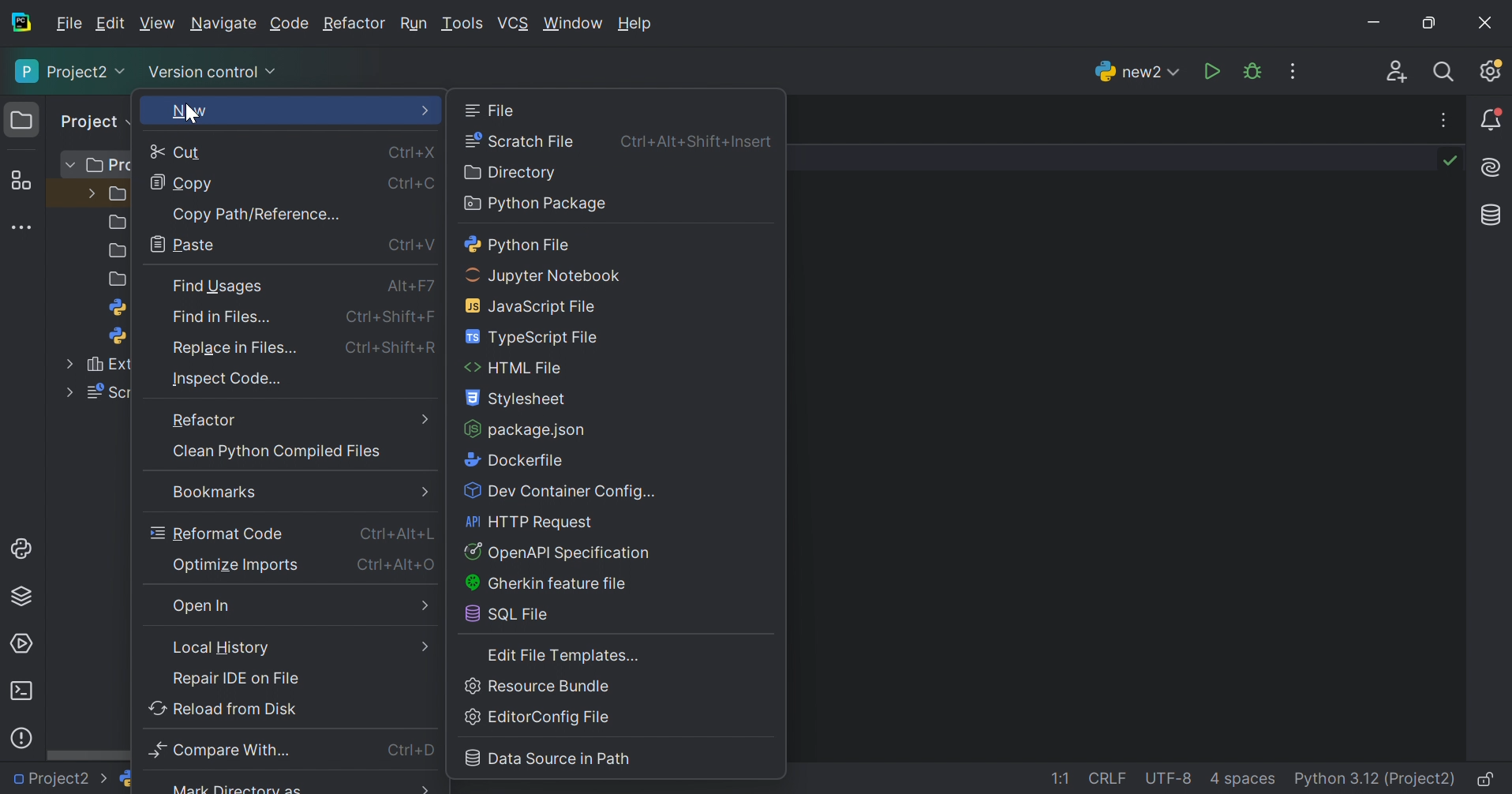 The image size is (1512, 794). Describe the element at coordinates (410, 245) in the screenshot. I see `Ctrl+V` at that location.